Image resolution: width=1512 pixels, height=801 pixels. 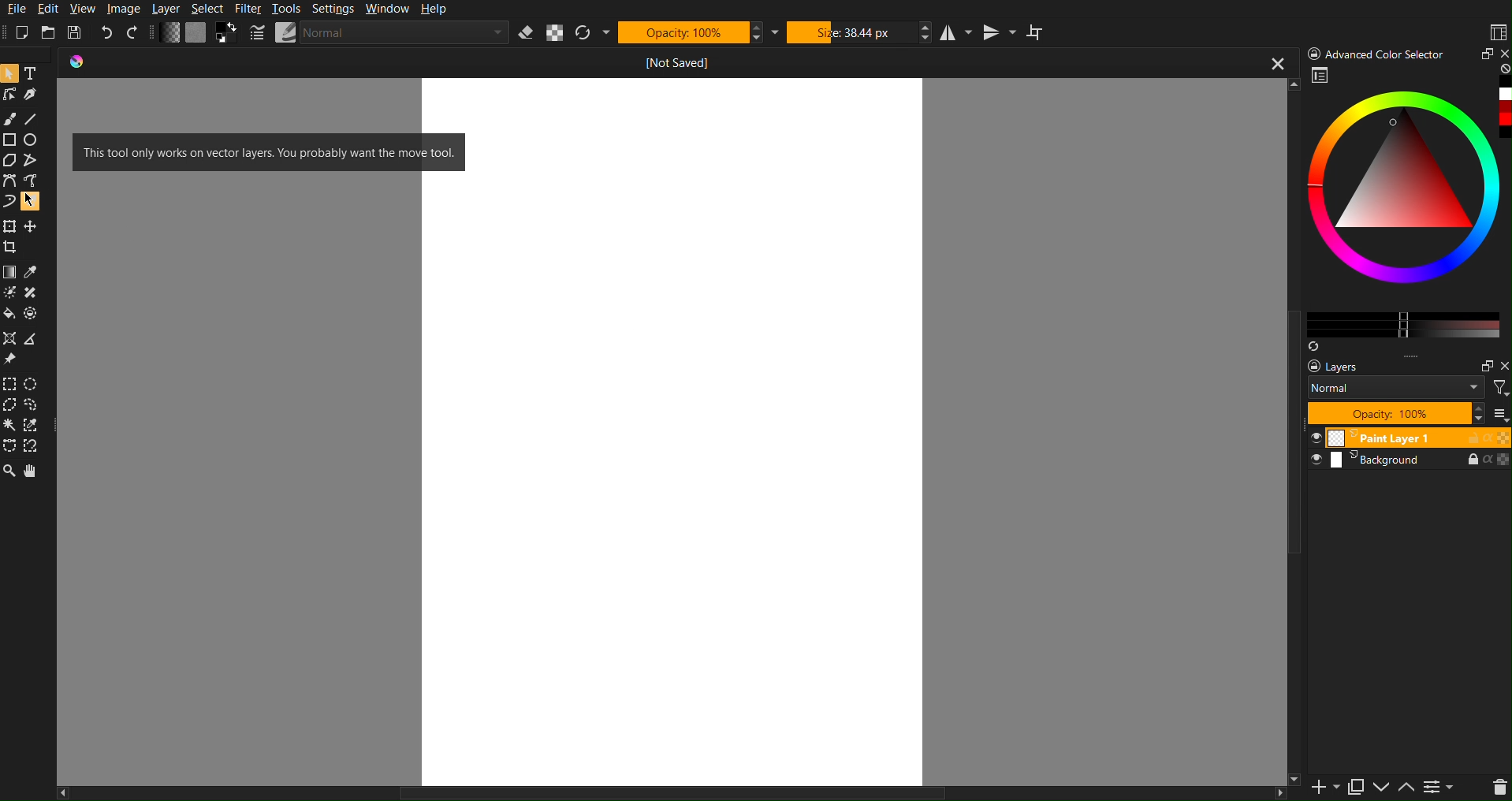 I want to click on Paint Layer 1, so click(x=1410, y=437).